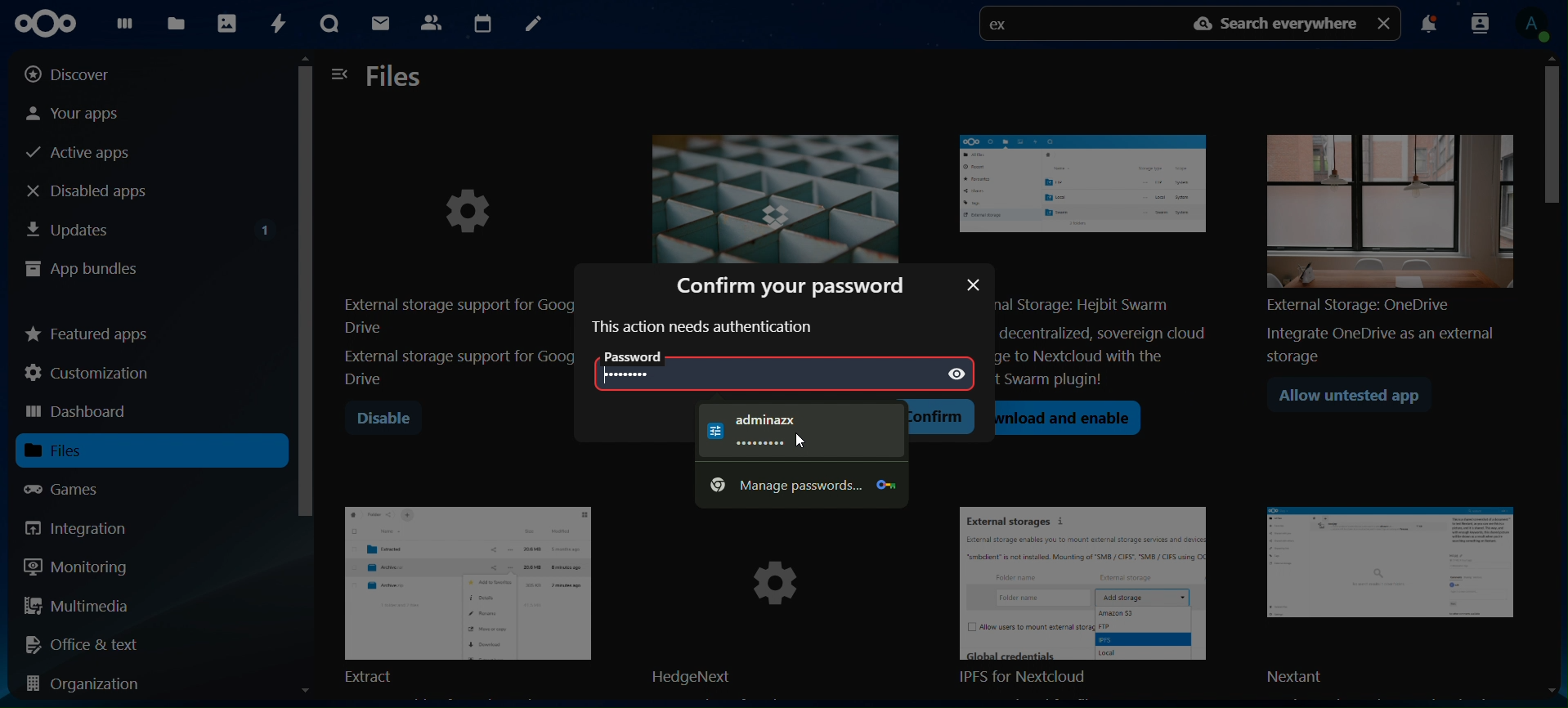 This screenshot has height=708, width=1568. I want to click on dashboard, so click(79, 413).